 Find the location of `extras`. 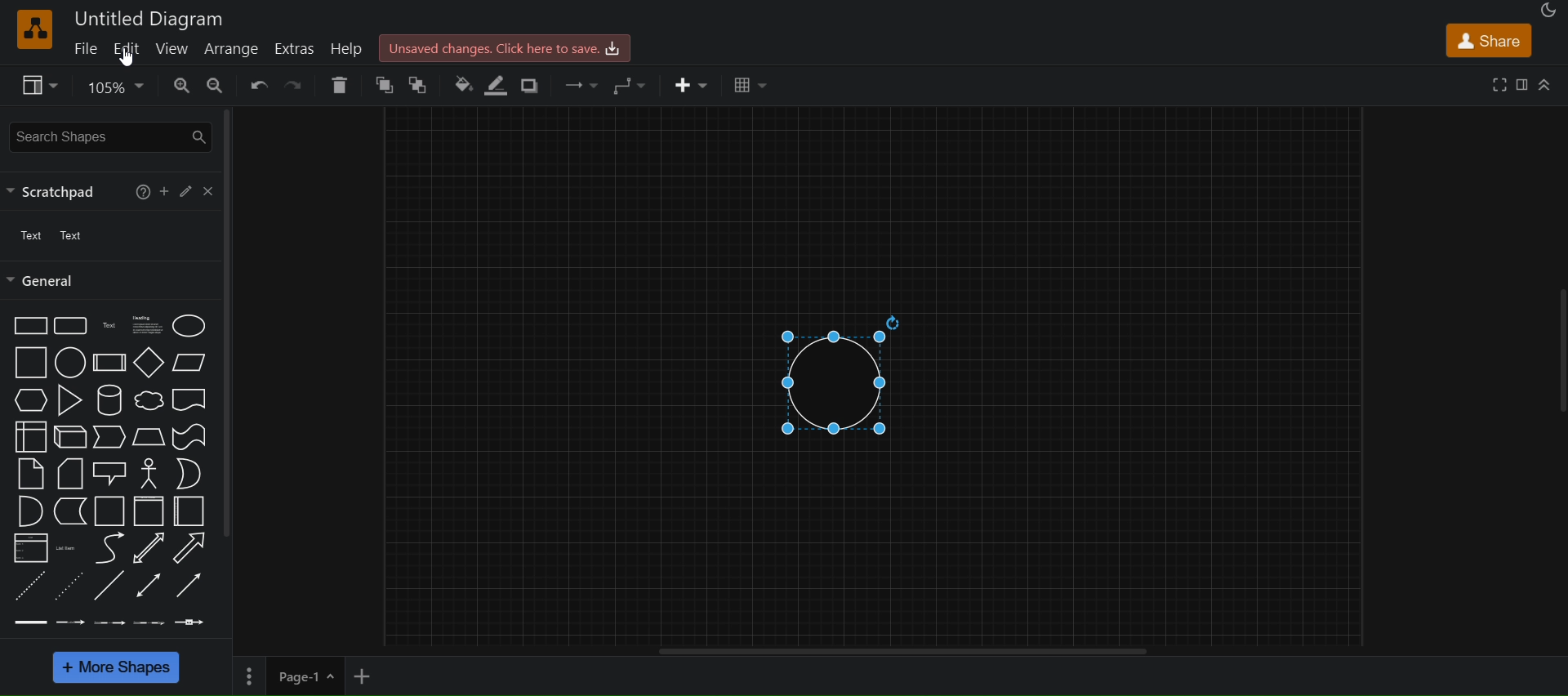

extras is located at coordinates (295, 49).